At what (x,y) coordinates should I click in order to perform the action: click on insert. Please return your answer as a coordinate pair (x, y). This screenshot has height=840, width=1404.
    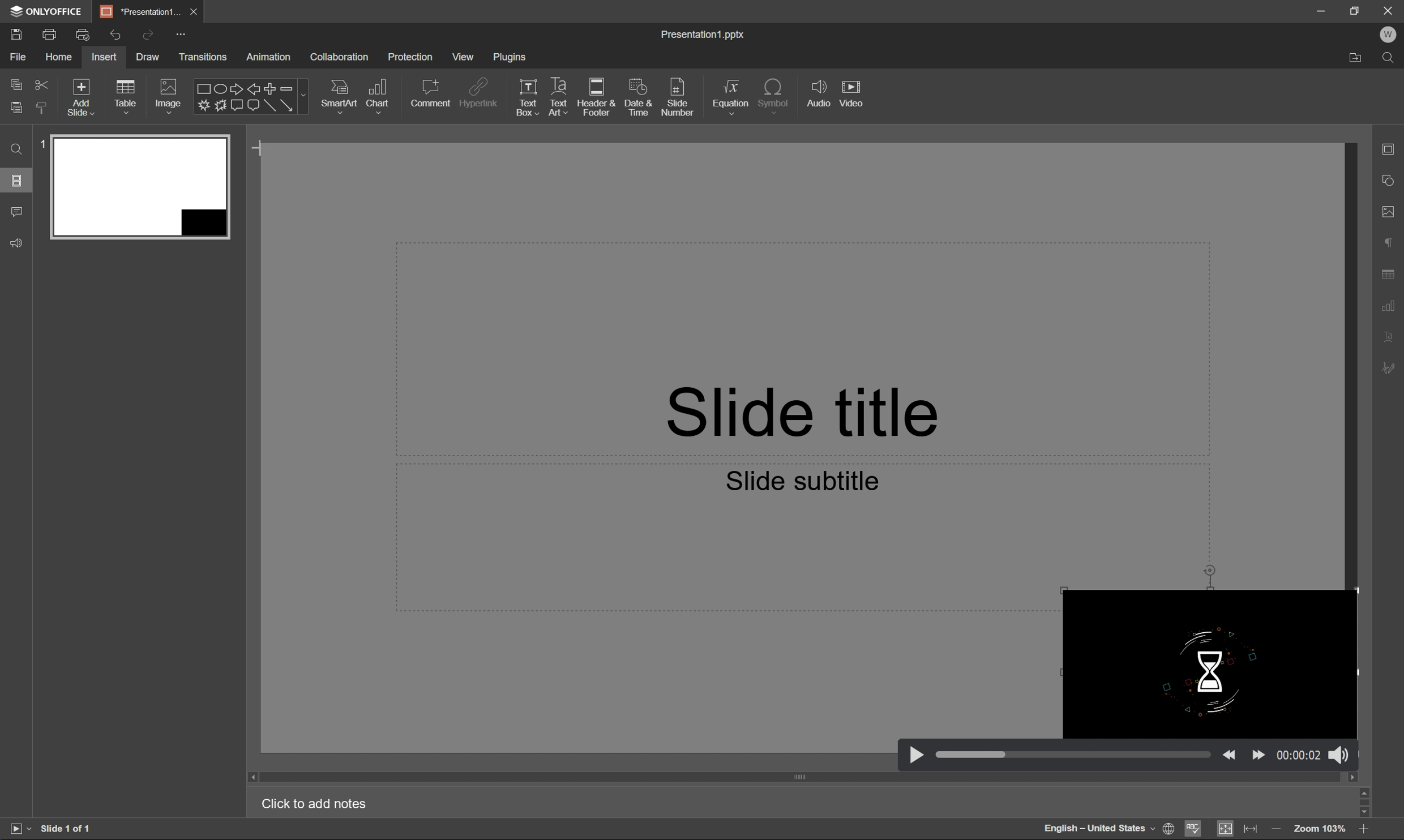
    Looking at the image, I should click on (103, 57).